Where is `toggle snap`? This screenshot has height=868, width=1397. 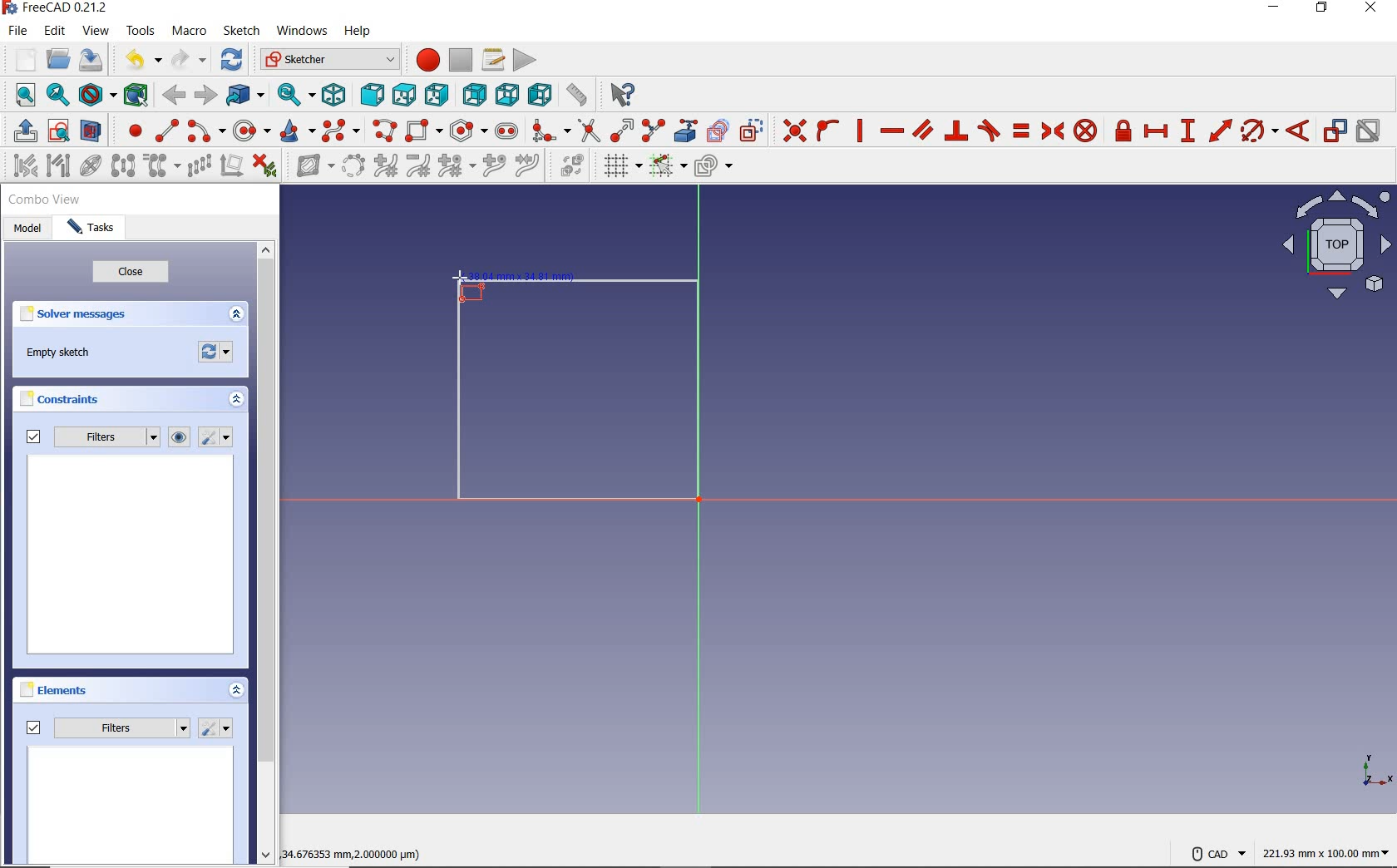
toggle snap is located at coordinates (668, 167).